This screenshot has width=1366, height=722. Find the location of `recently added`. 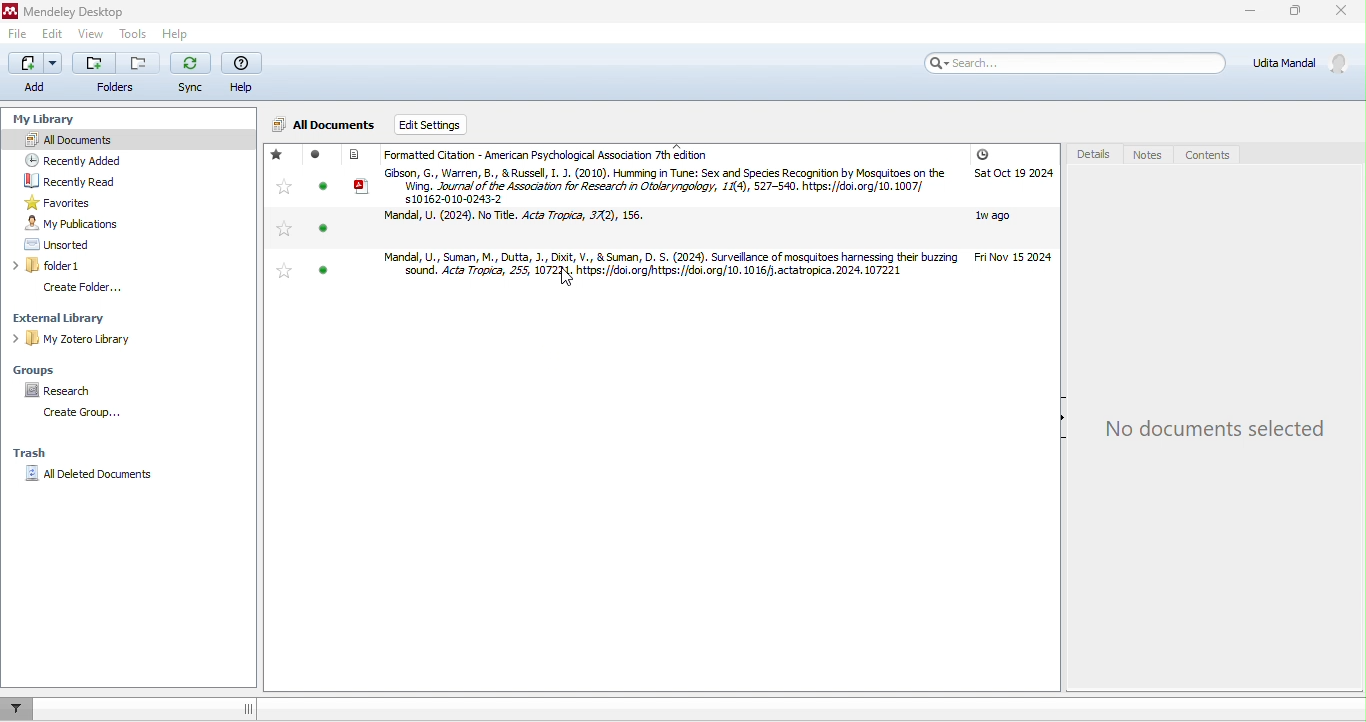

recently added is located at coordinates (94, 160).